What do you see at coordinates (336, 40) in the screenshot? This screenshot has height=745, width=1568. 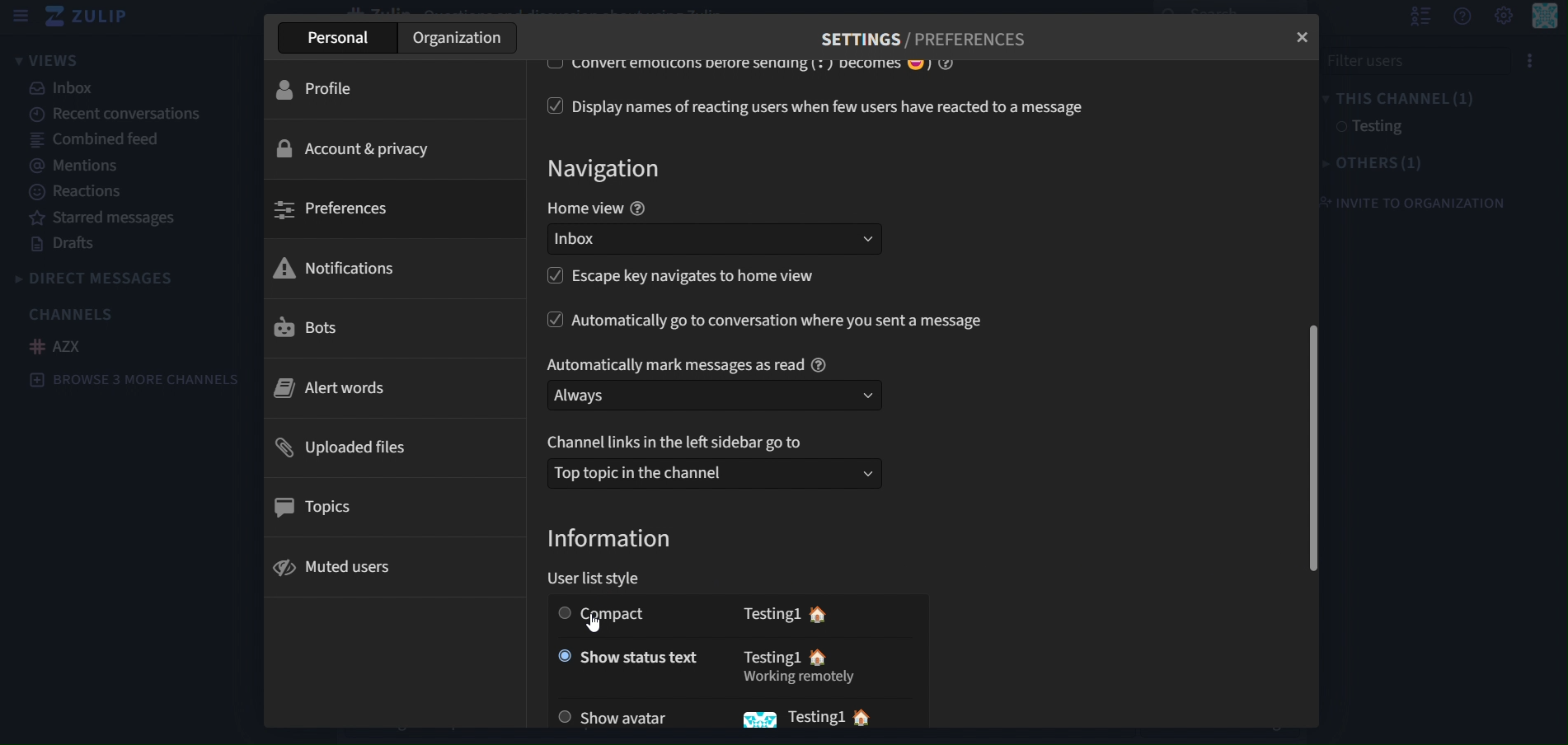 I see `personal` at bounding box center [336, 40].